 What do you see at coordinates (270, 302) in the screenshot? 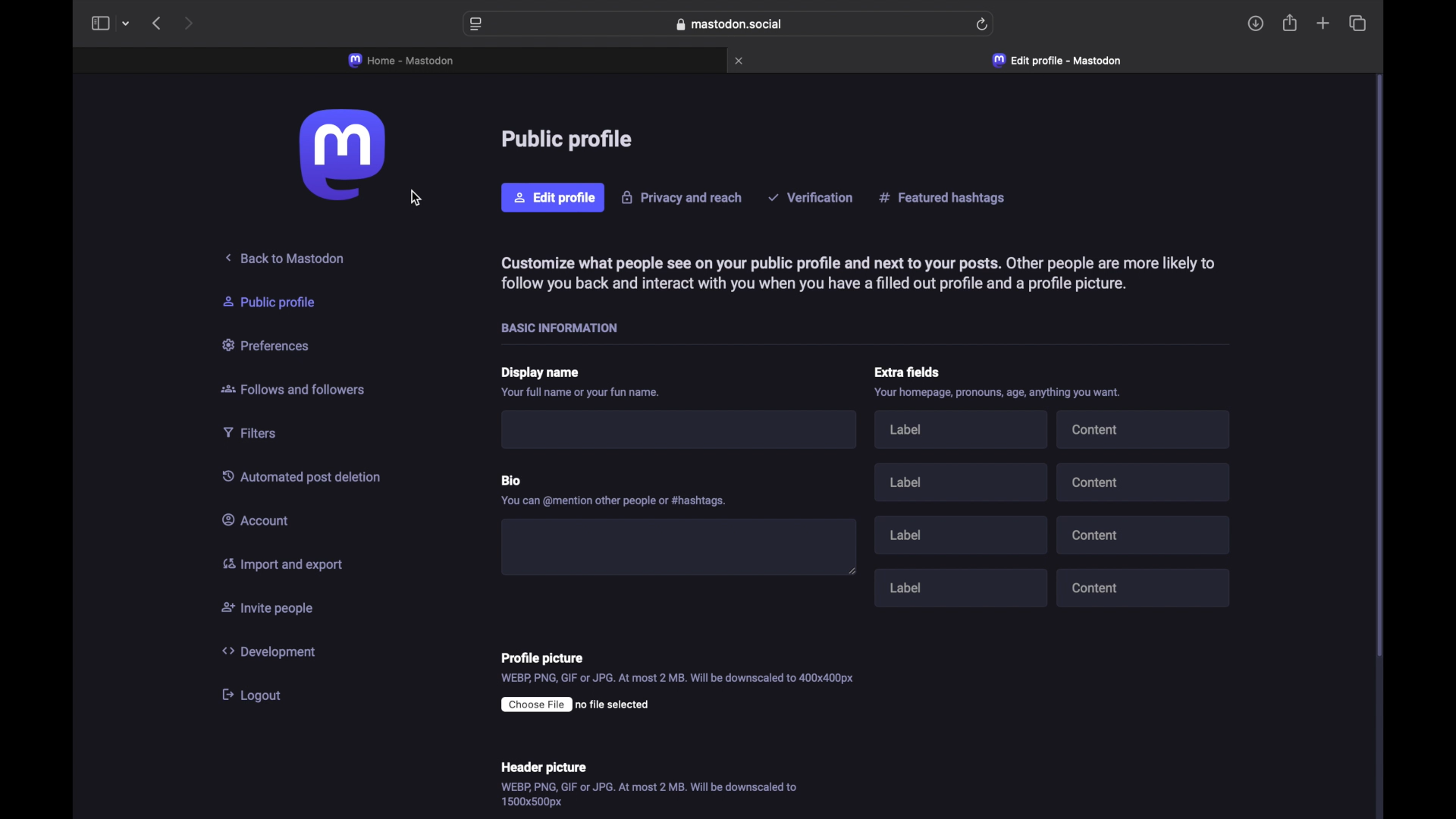
I see `public profile` at bounding box center [270, 302].